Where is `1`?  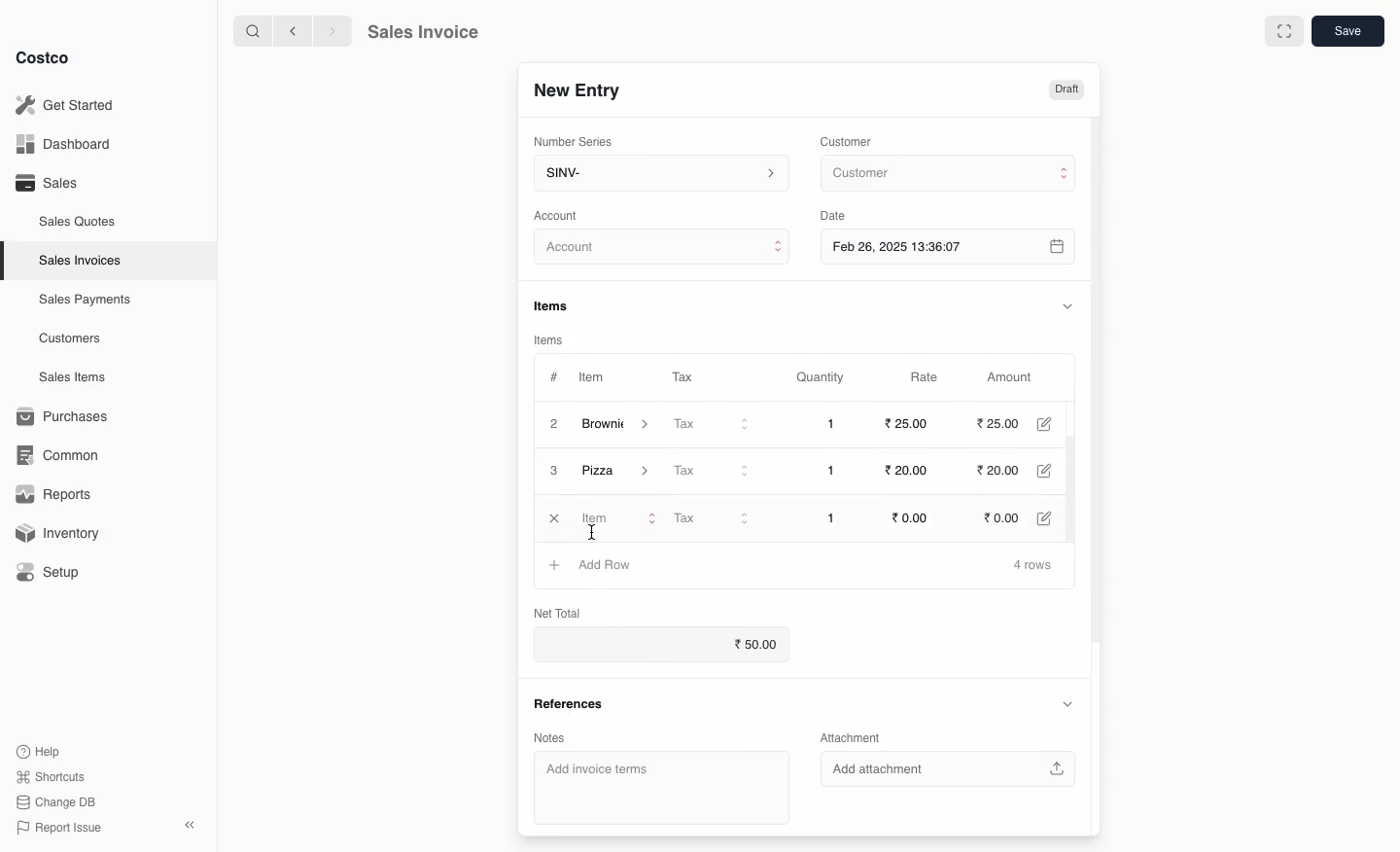 1 is located at coordinates (829, 424).